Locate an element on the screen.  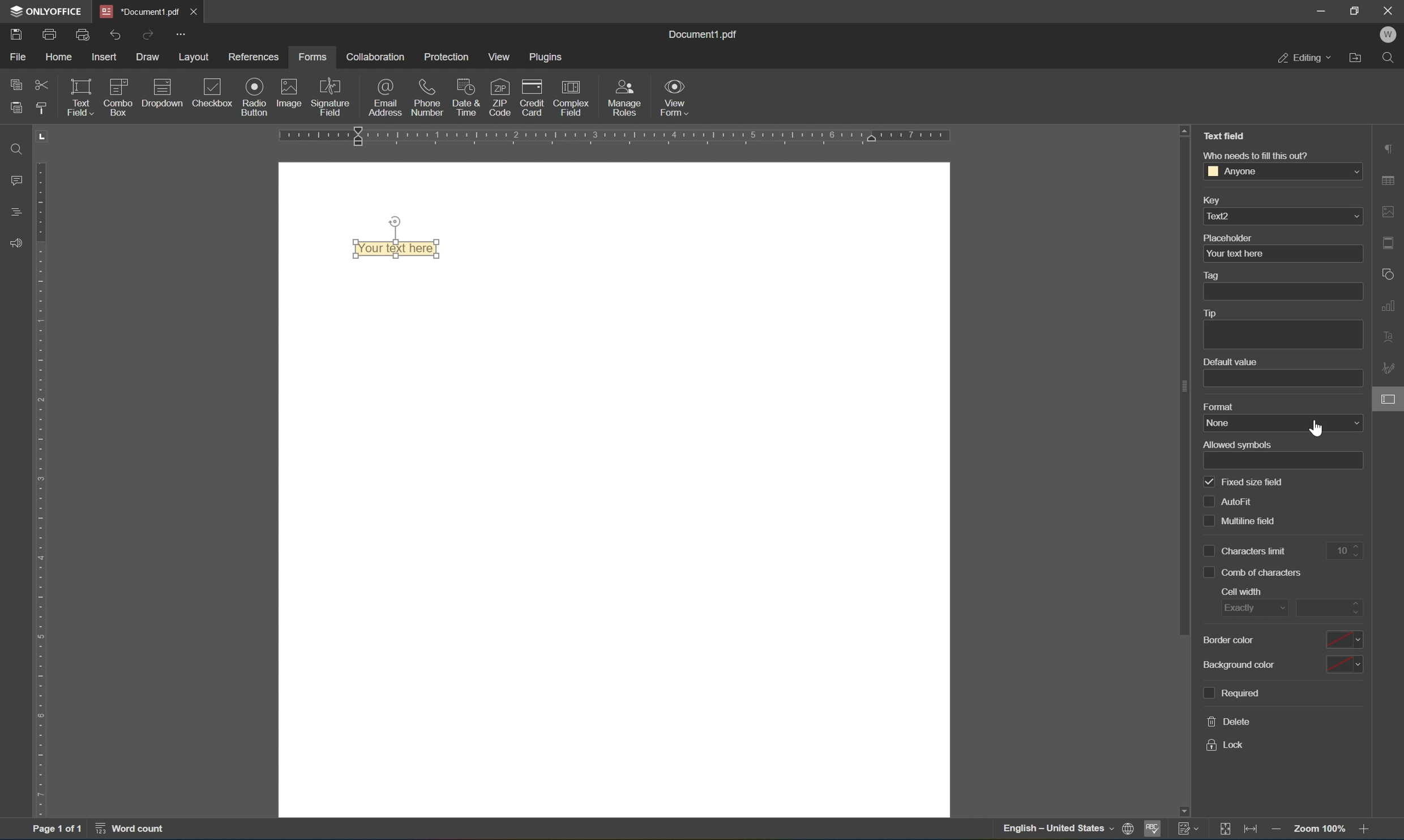
text2 is located at coordinates (1281, 216).